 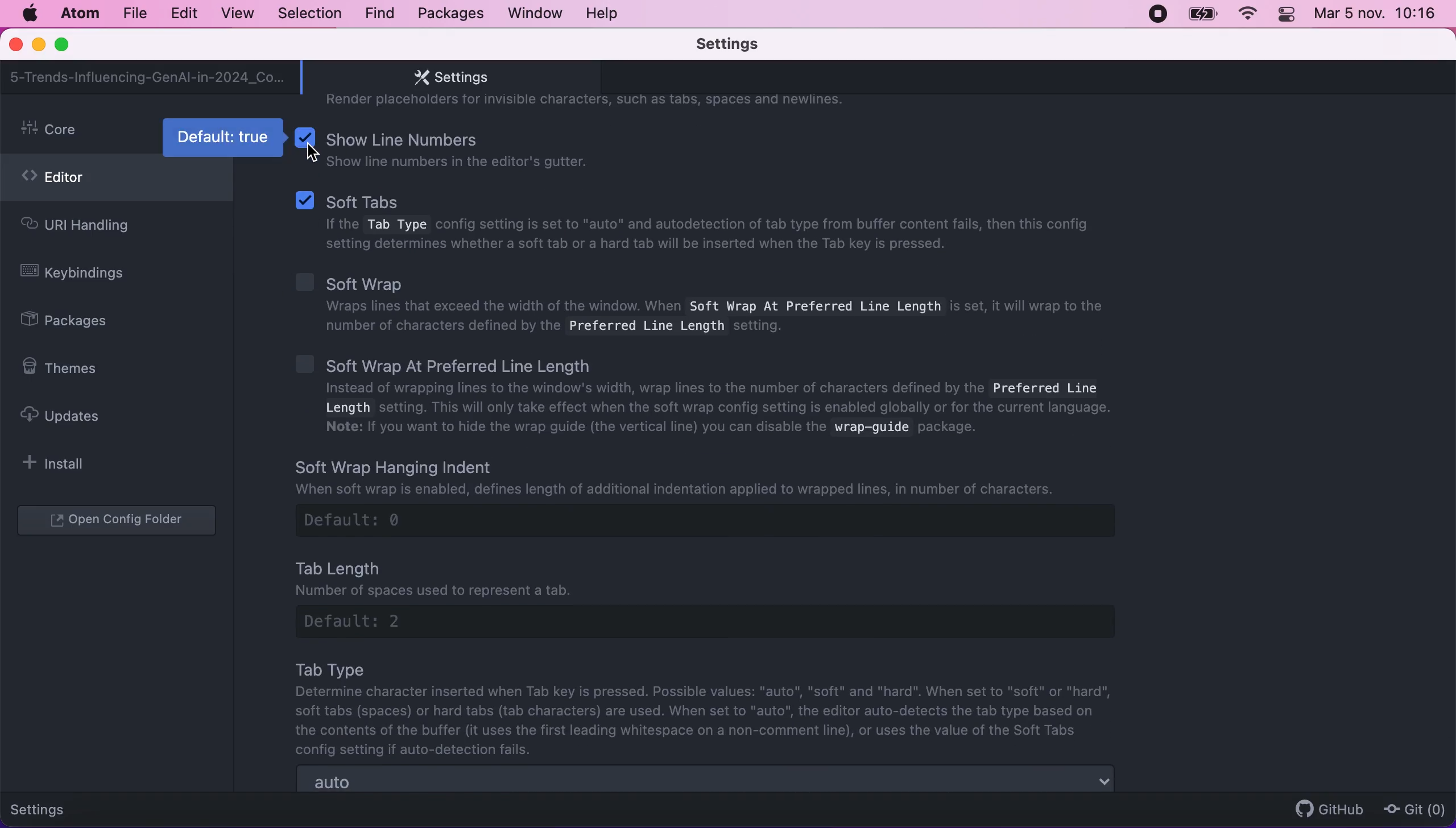 I want to click on tab length, so click(x=722, y=596).